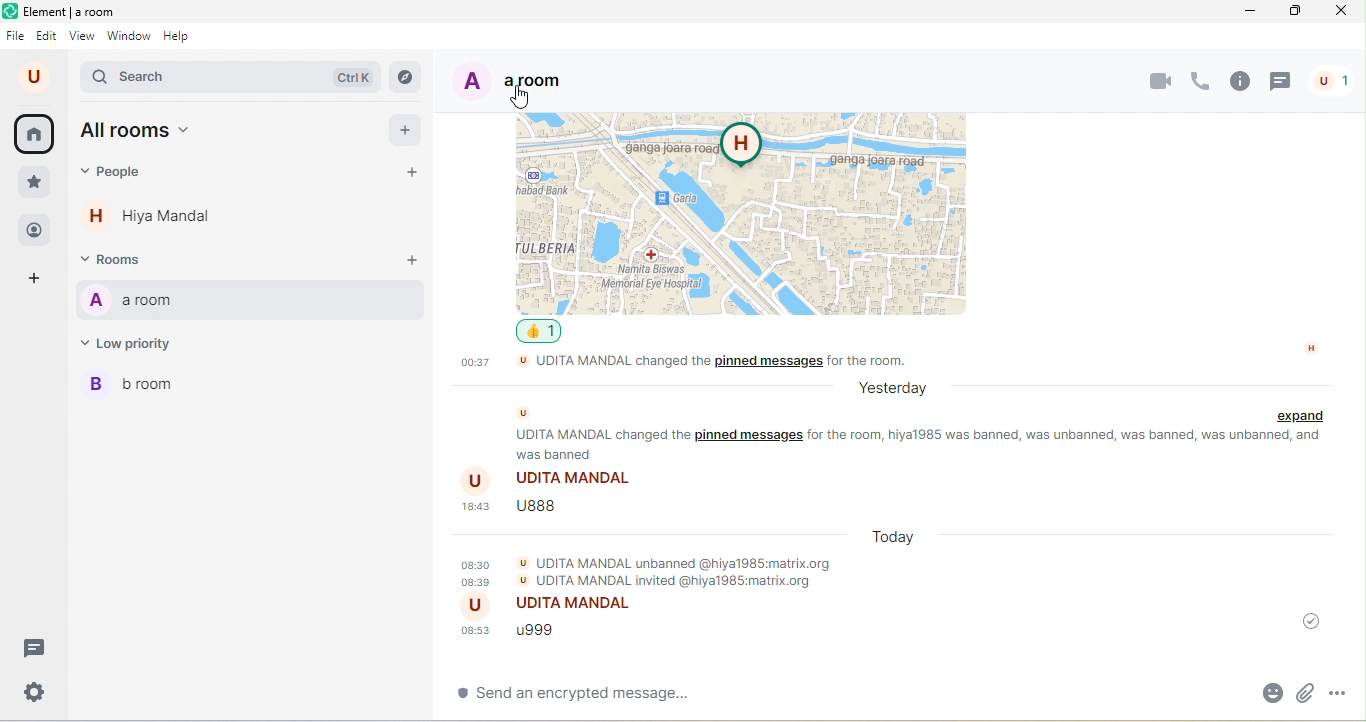  What do you see at coordinates (1309, 622) in the screenshot?
I see `message was sent` at bounding box center [1309, 622].